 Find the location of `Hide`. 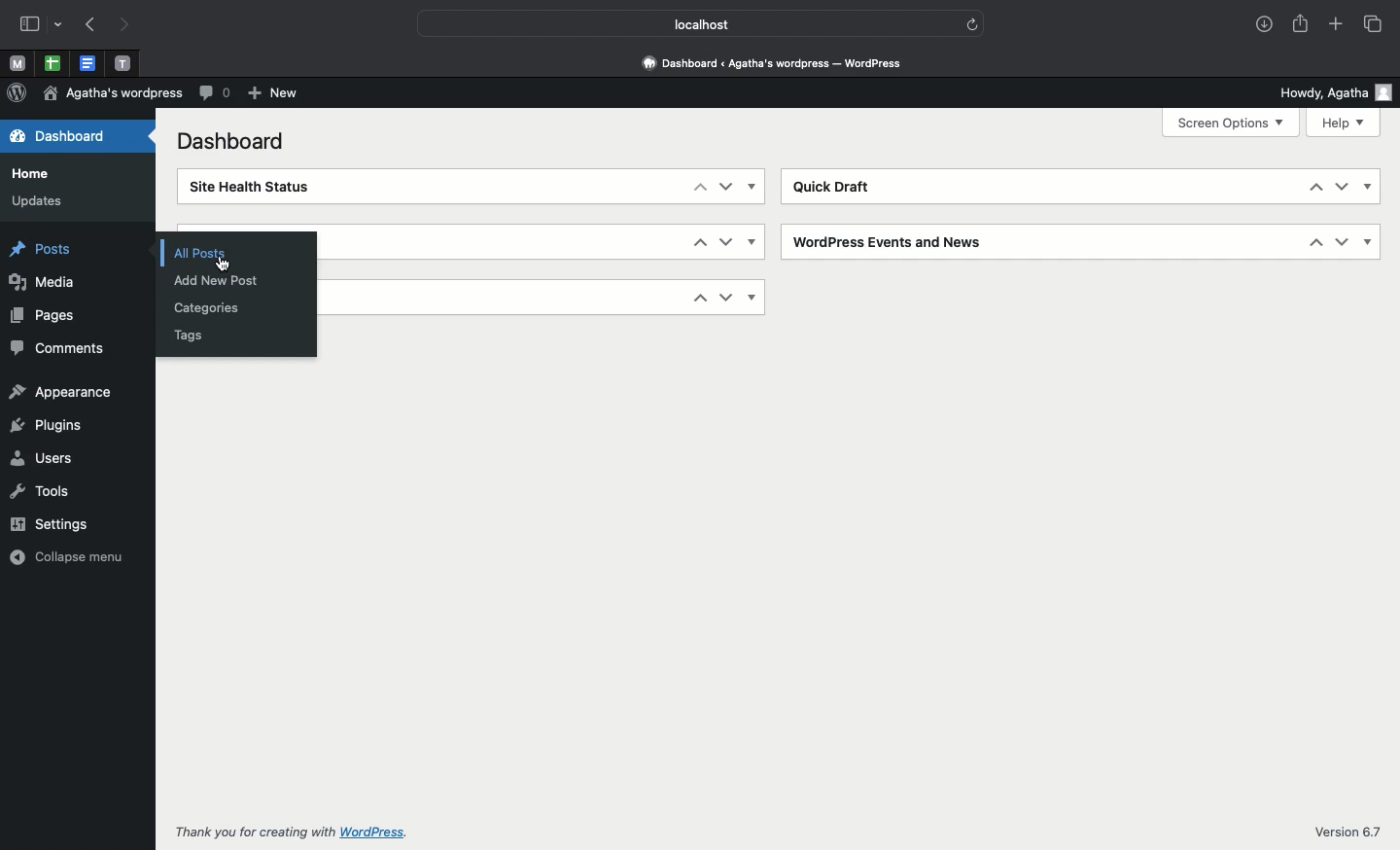

Hide is located at coordinates (754, 243).